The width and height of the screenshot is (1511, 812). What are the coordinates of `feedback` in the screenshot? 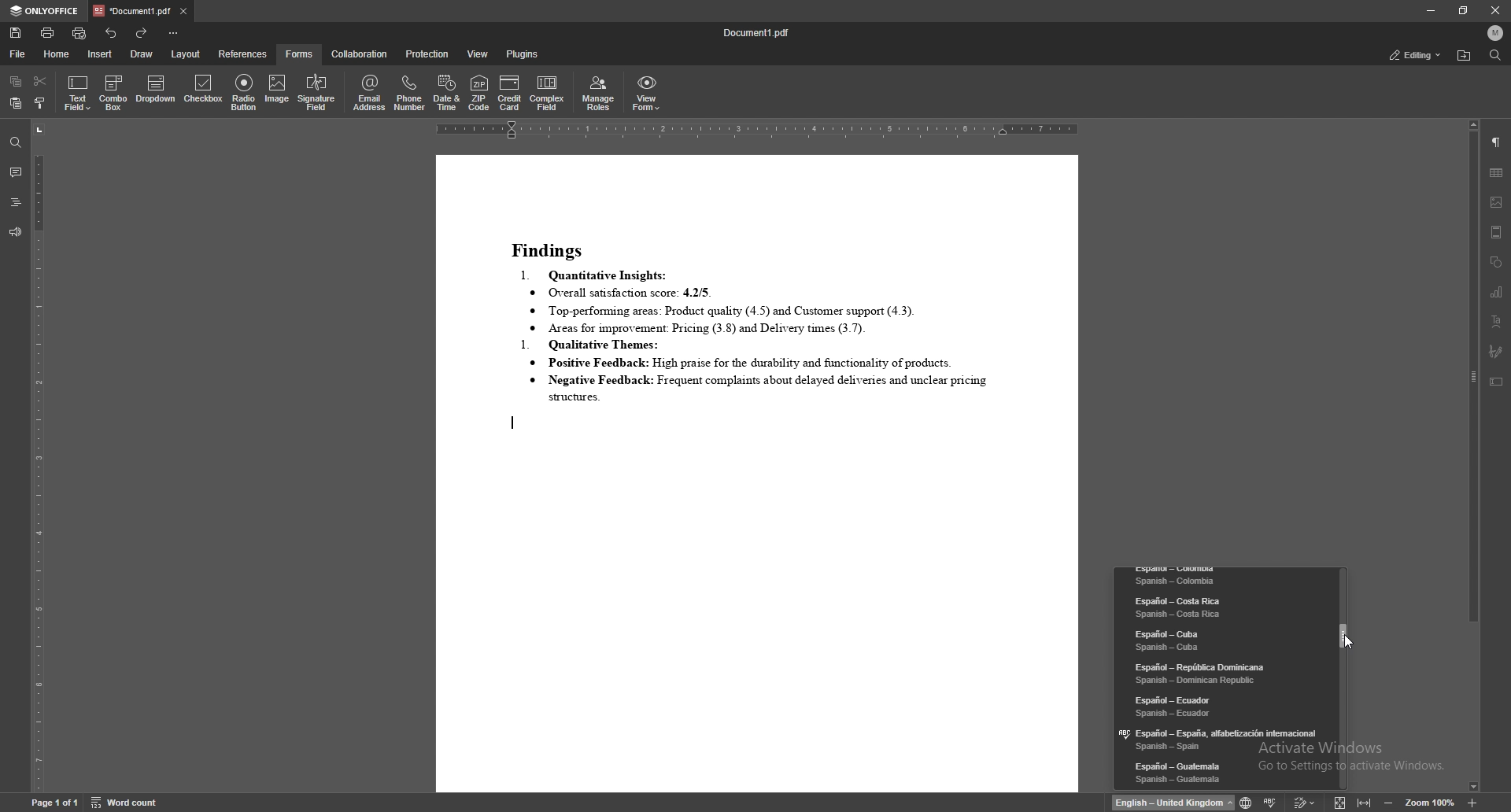 It's located at (15, 233).